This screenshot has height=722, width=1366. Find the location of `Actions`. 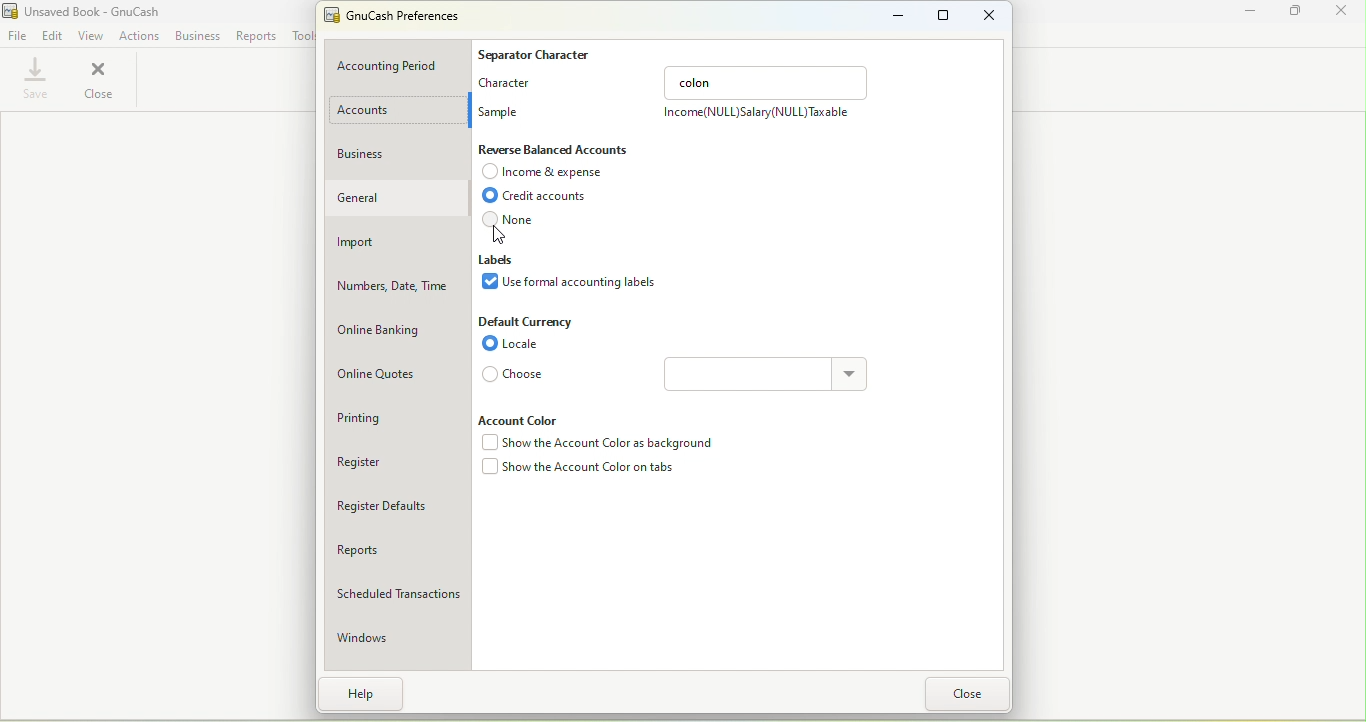

Actions is located at coordinates (139, 35).